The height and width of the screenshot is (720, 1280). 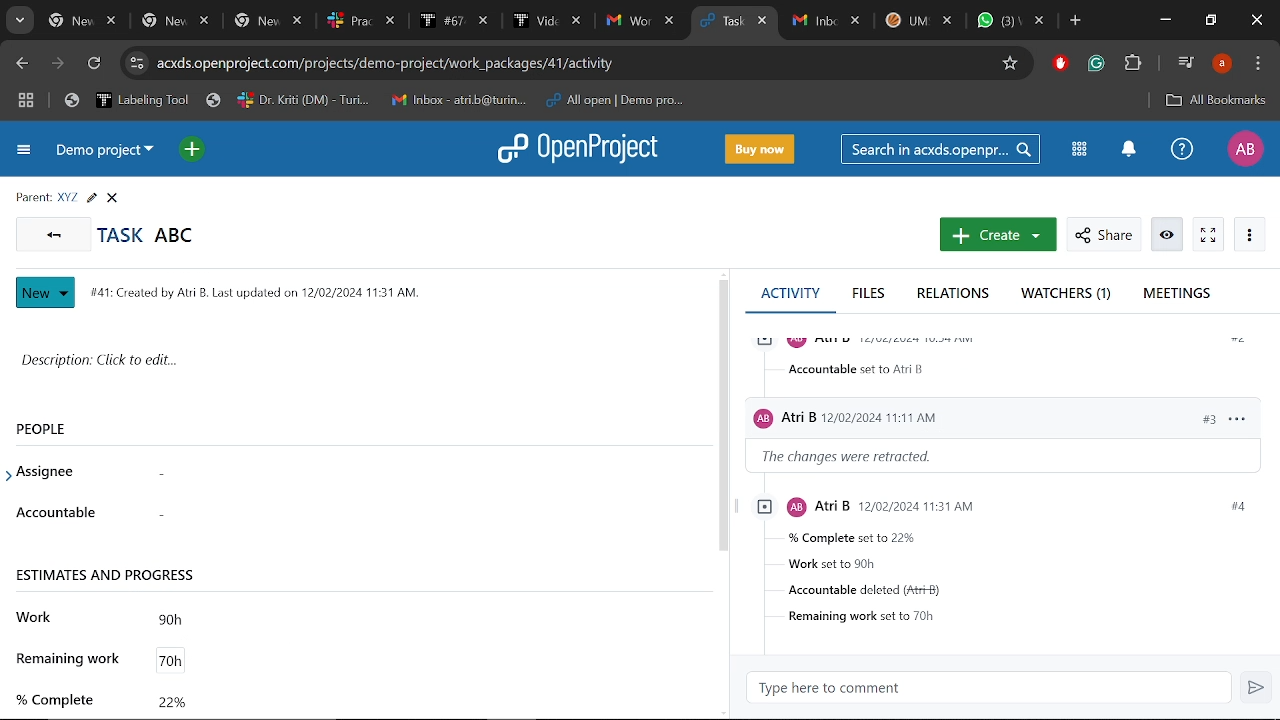 What do you see at coordinates (71, 658) in the screenshot?
I see `remaining work` at bounding box center [71, 658].